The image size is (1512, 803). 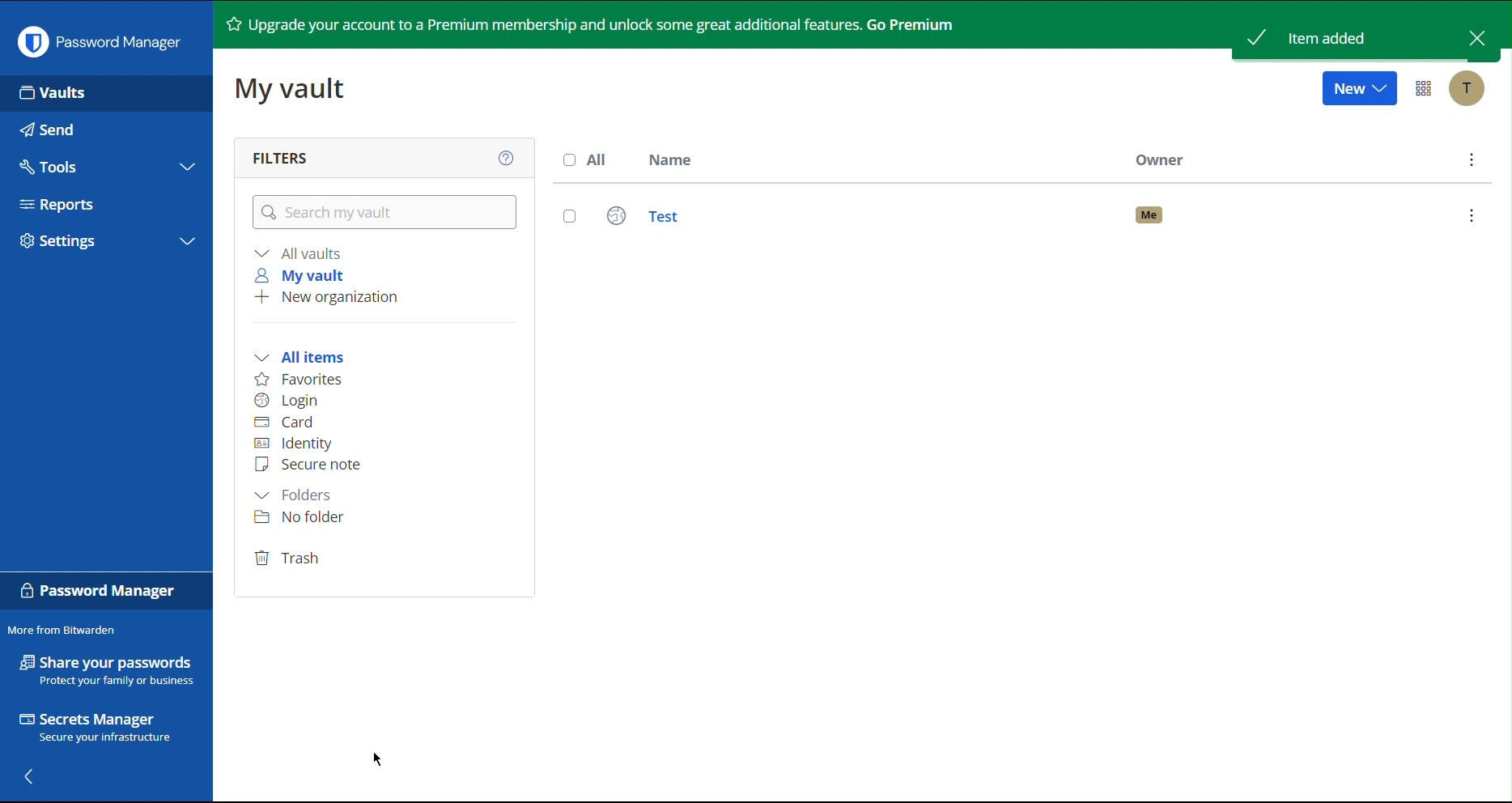 I want to click on Reports, so click(x=103, y=206).